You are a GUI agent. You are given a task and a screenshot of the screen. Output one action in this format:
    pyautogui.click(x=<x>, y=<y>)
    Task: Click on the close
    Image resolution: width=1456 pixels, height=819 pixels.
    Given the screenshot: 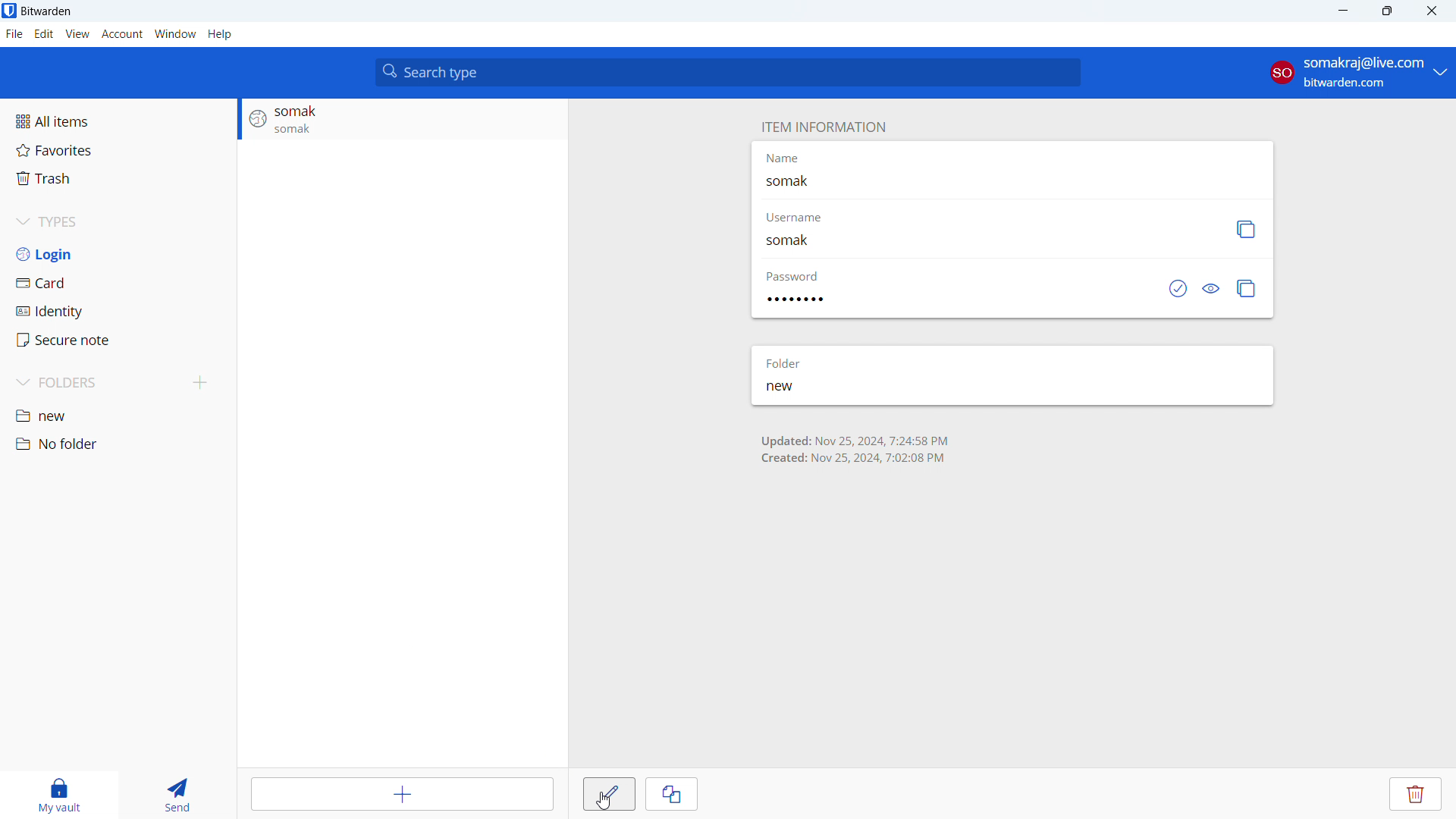 What is the action you would take?
    pyautogui.click(x=1430, y=11)
    